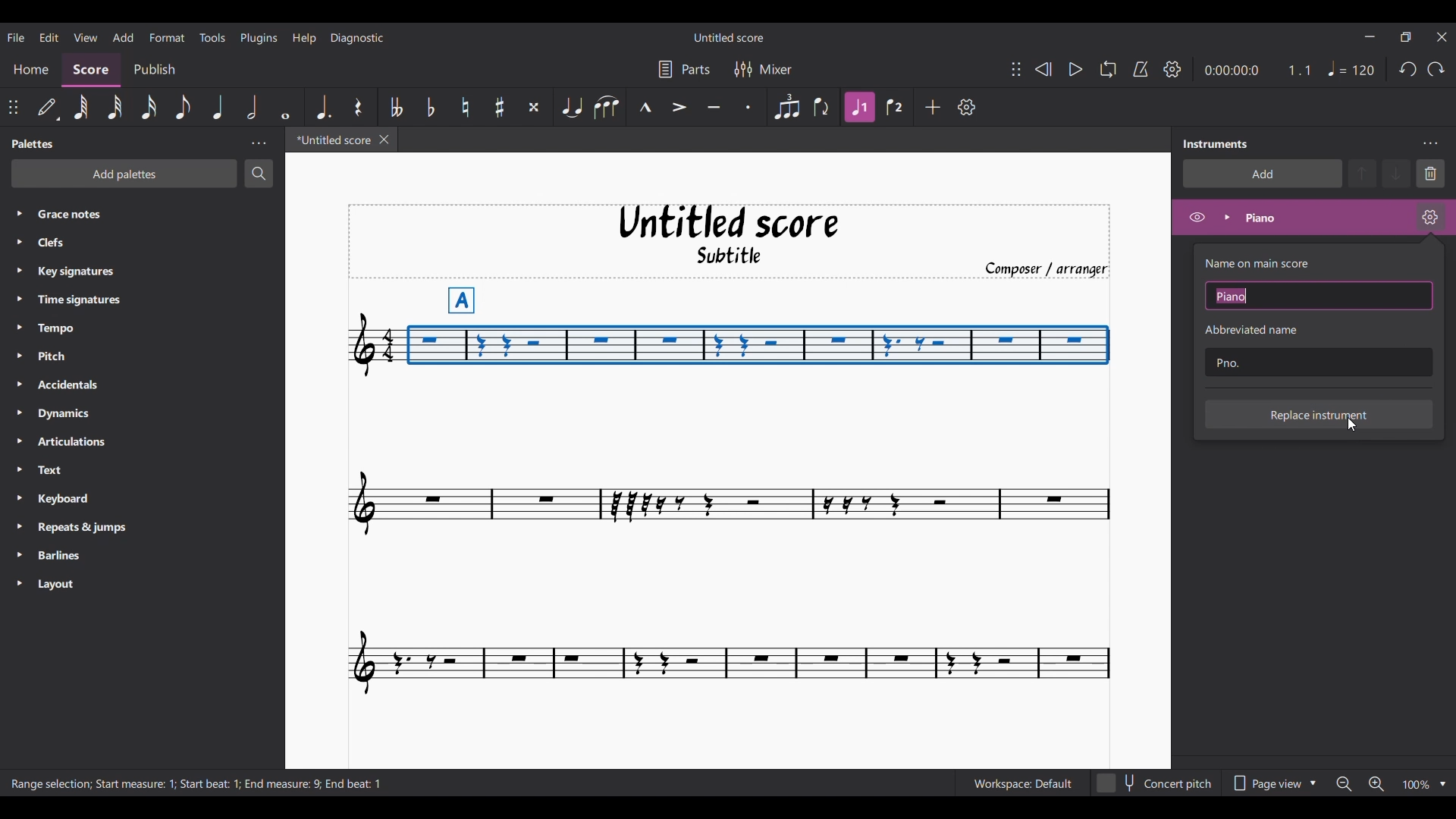 The width and height of the screenshot is (1456, 819). What do you see at coordinates (285, 107) in the screenshot?
I see `Whole note` at bounding box center [285, 107].